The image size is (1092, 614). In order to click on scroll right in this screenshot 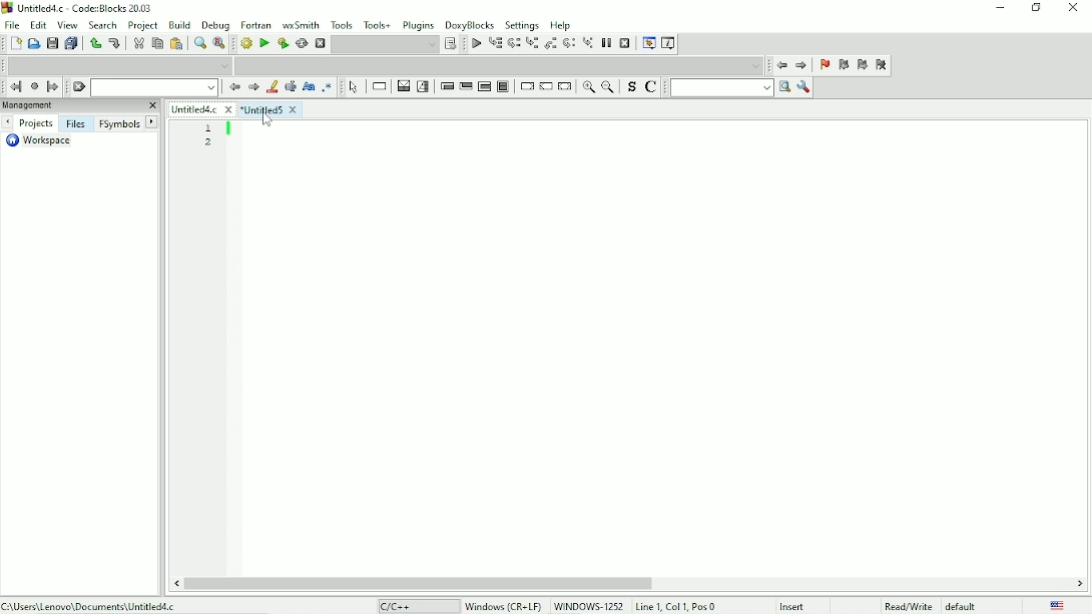, I will do `click(1079, 584)`.